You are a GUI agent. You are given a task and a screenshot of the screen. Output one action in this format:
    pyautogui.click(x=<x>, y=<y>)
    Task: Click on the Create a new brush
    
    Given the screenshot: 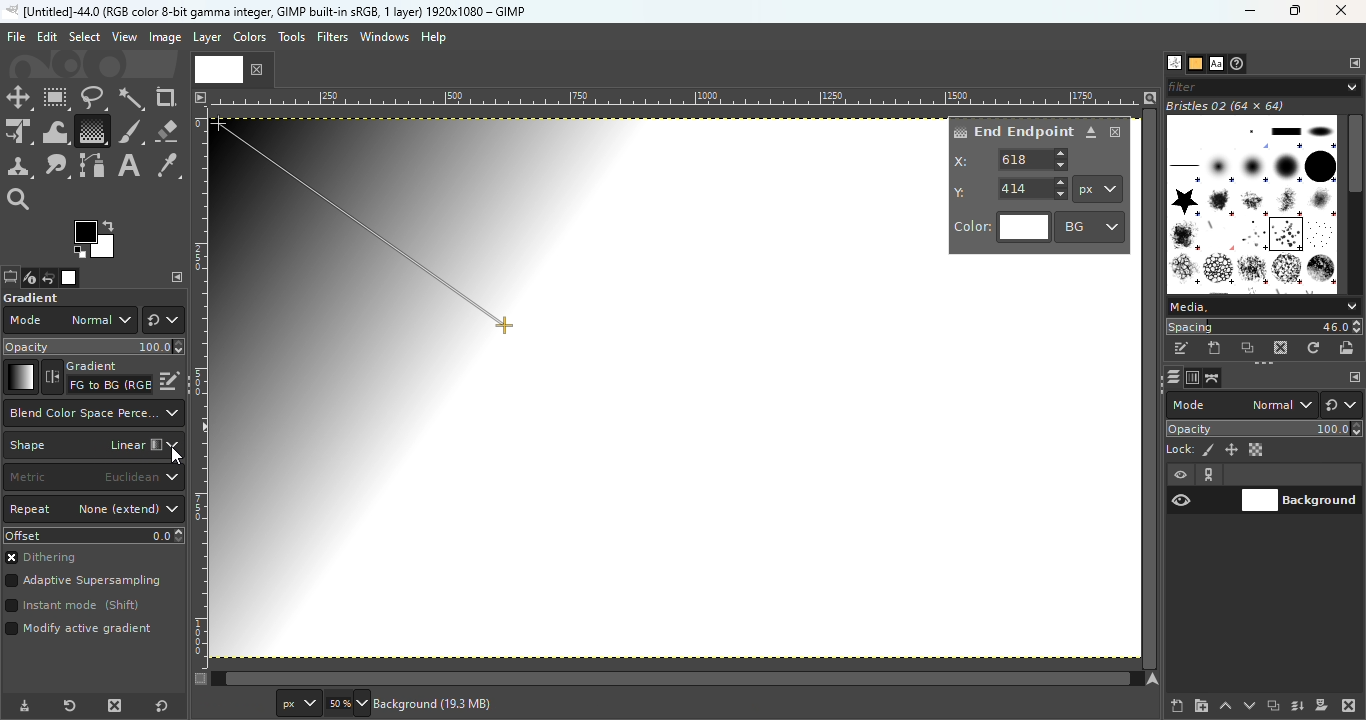 What is the action you would take?
    pyautogui.click(x=1216, y=348)
    